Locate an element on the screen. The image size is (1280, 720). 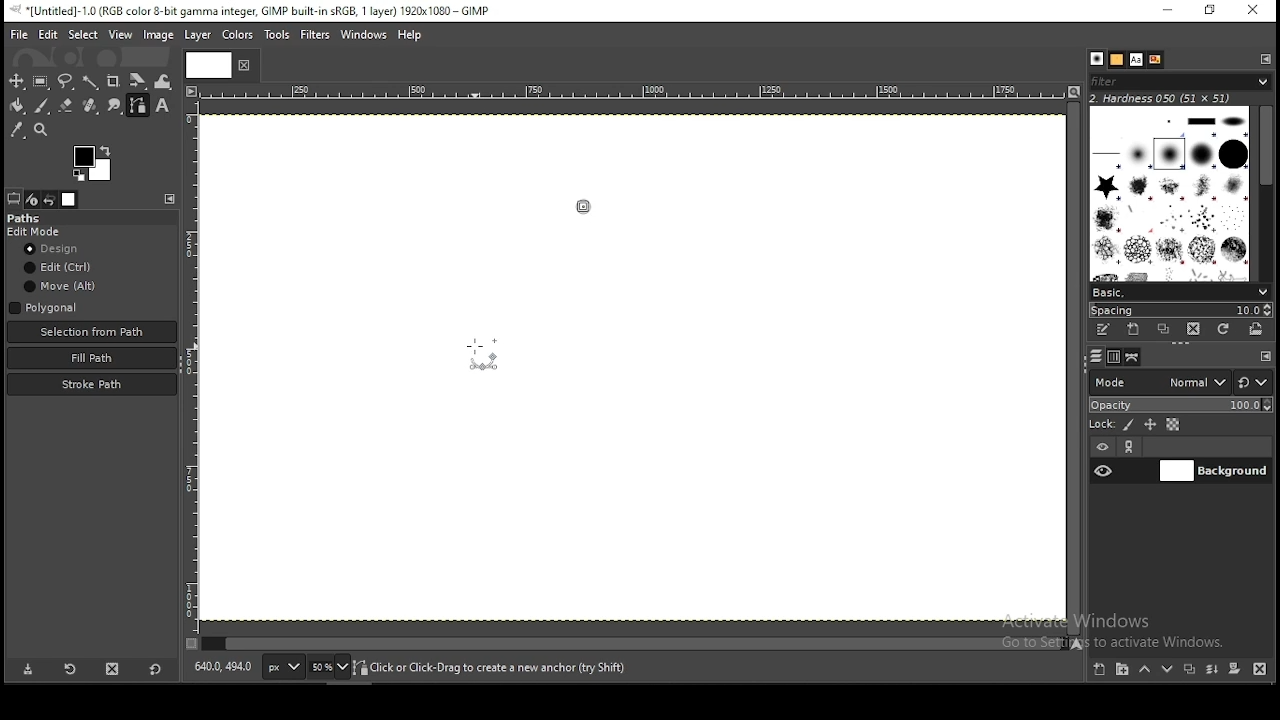
configure this tab is located at coordinates (172, 199).